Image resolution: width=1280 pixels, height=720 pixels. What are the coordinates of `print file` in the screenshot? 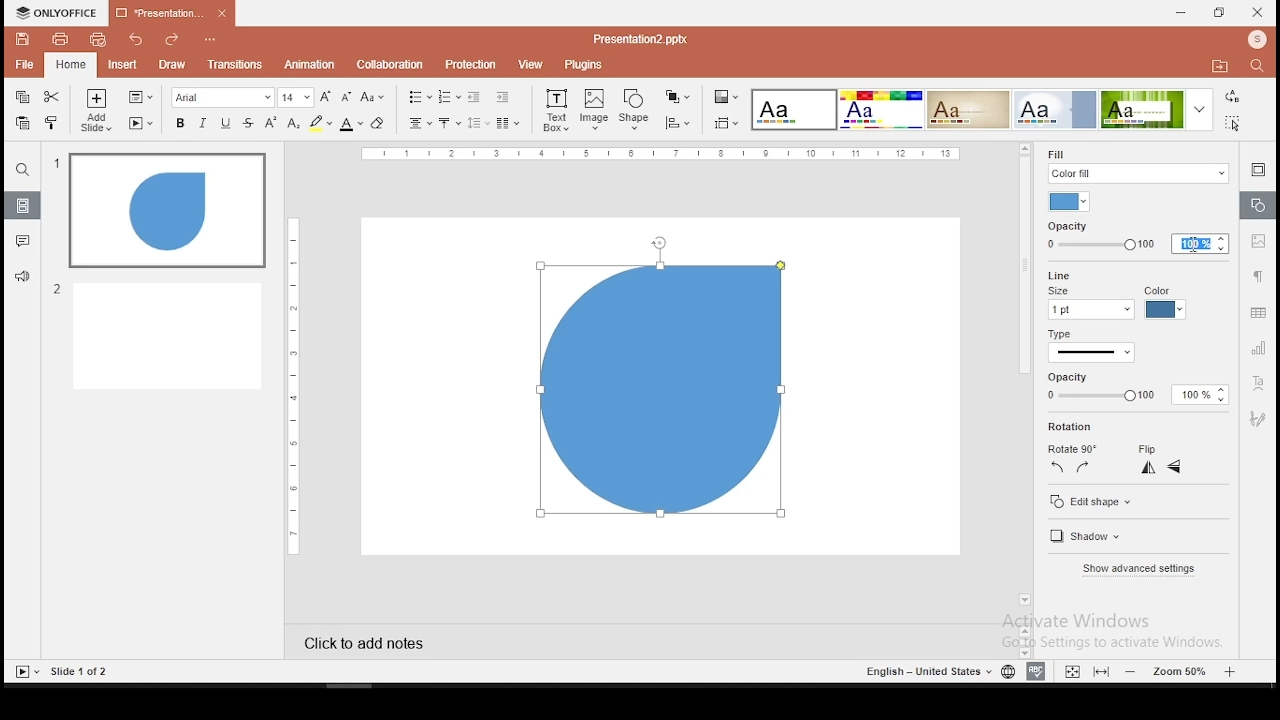 It's located at (59, 40).